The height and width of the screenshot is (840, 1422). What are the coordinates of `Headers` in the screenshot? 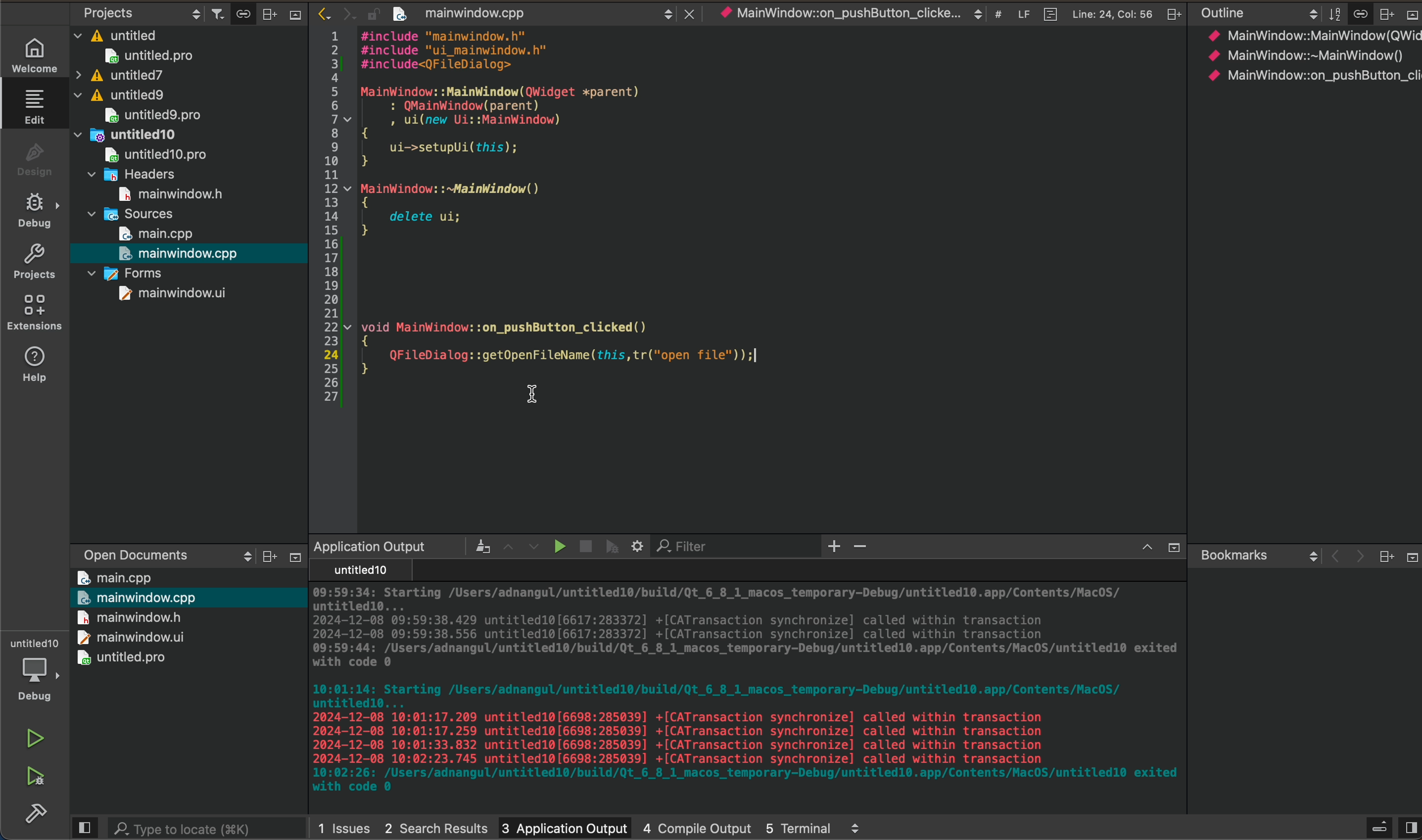 It's located at (135, 173).